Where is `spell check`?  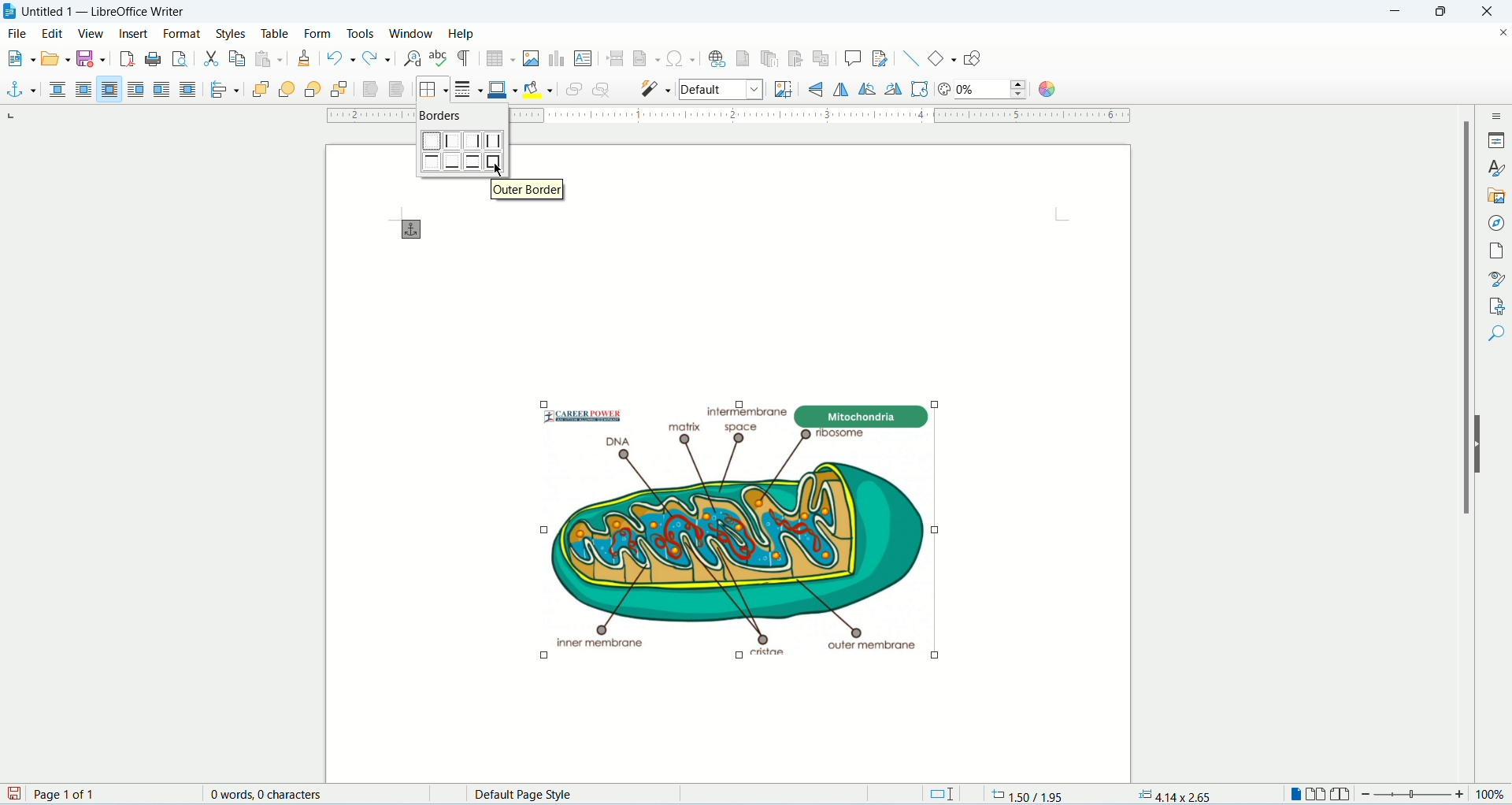 spell check is located at coordinates (441, 58).